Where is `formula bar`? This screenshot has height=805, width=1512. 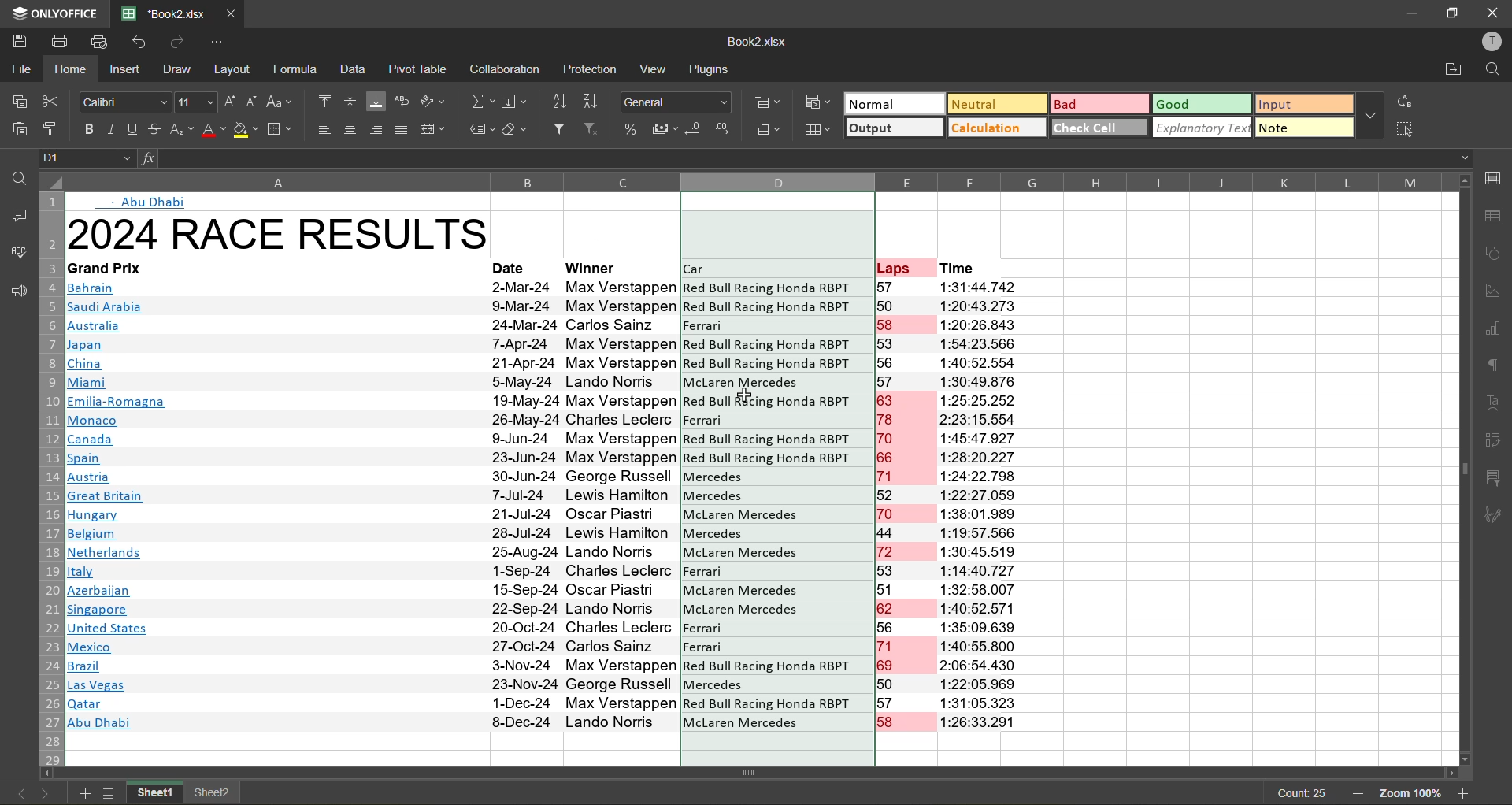 formula bar is located at coordinates (813, 157).